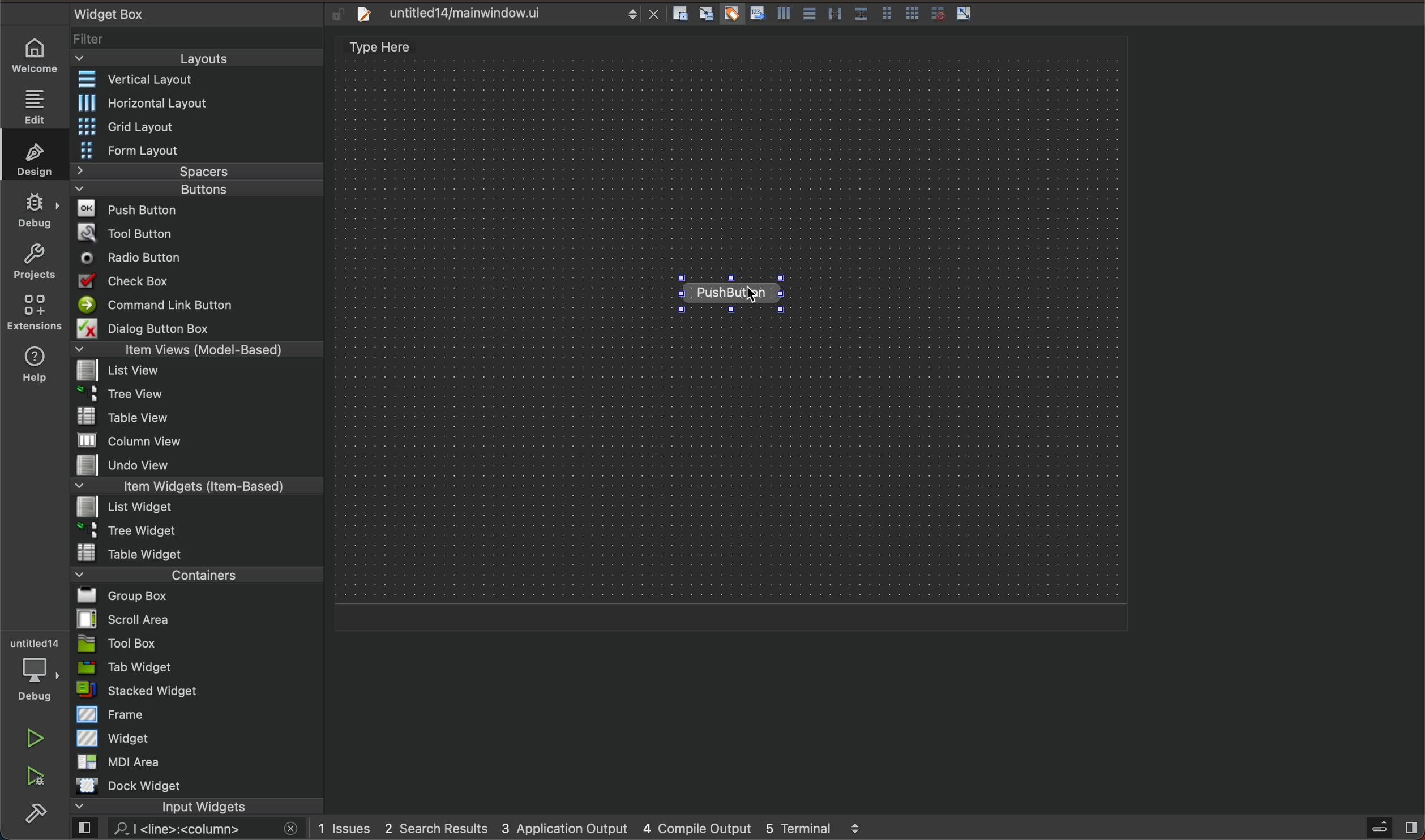 This screenshot has width=1425, height=840. What do you see at coordinates (200, 172) in the screenshot?
I see `spacers` at bounding box center [200, 172].